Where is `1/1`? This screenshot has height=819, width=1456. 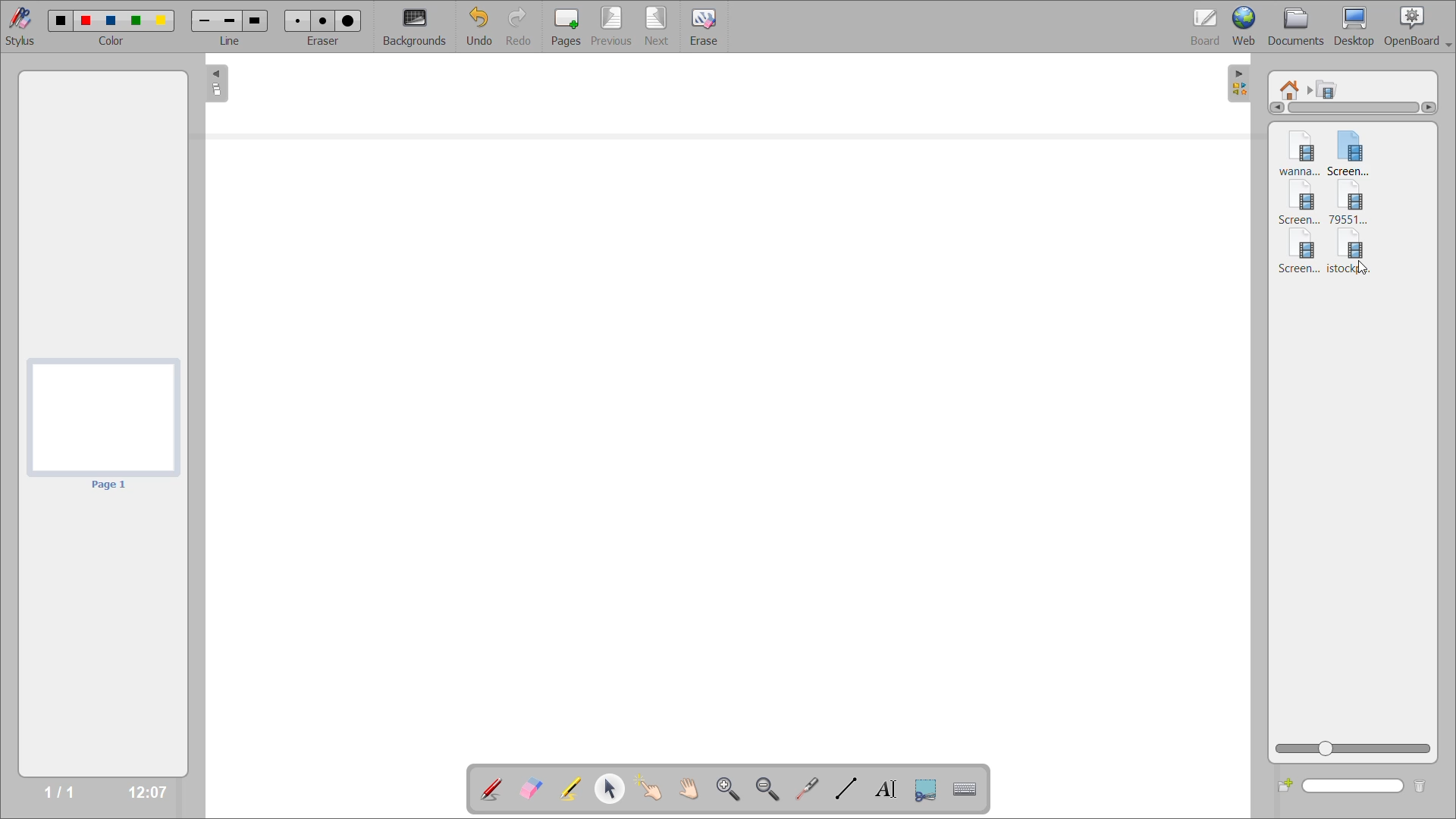 1/1 is located at coordinates (42, 792).